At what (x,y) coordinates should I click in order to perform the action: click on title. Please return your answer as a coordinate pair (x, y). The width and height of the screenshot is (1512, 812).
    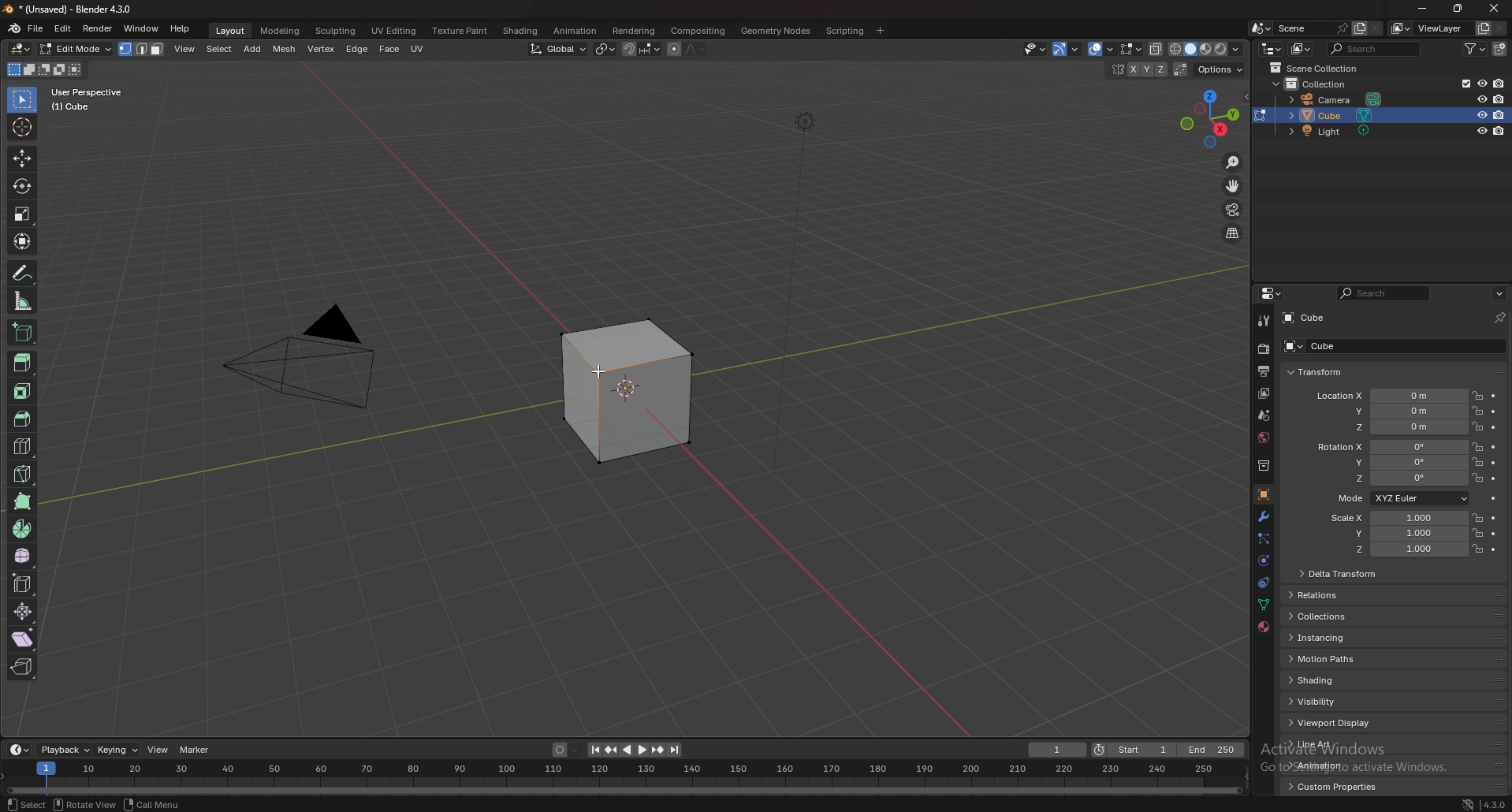
    Looking at the image, I should click on (71, 9).